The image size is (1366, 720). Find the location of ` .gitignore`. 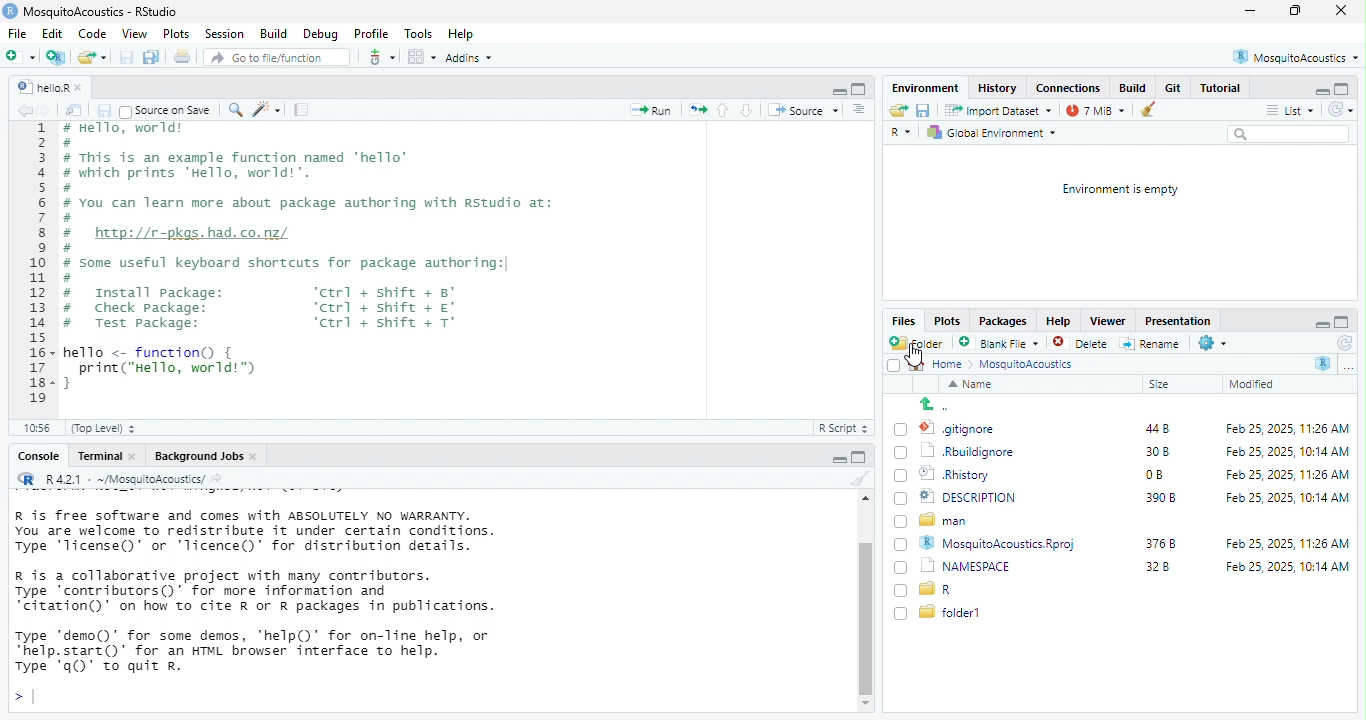

 .gitignore is located at coordinates (964, 430).